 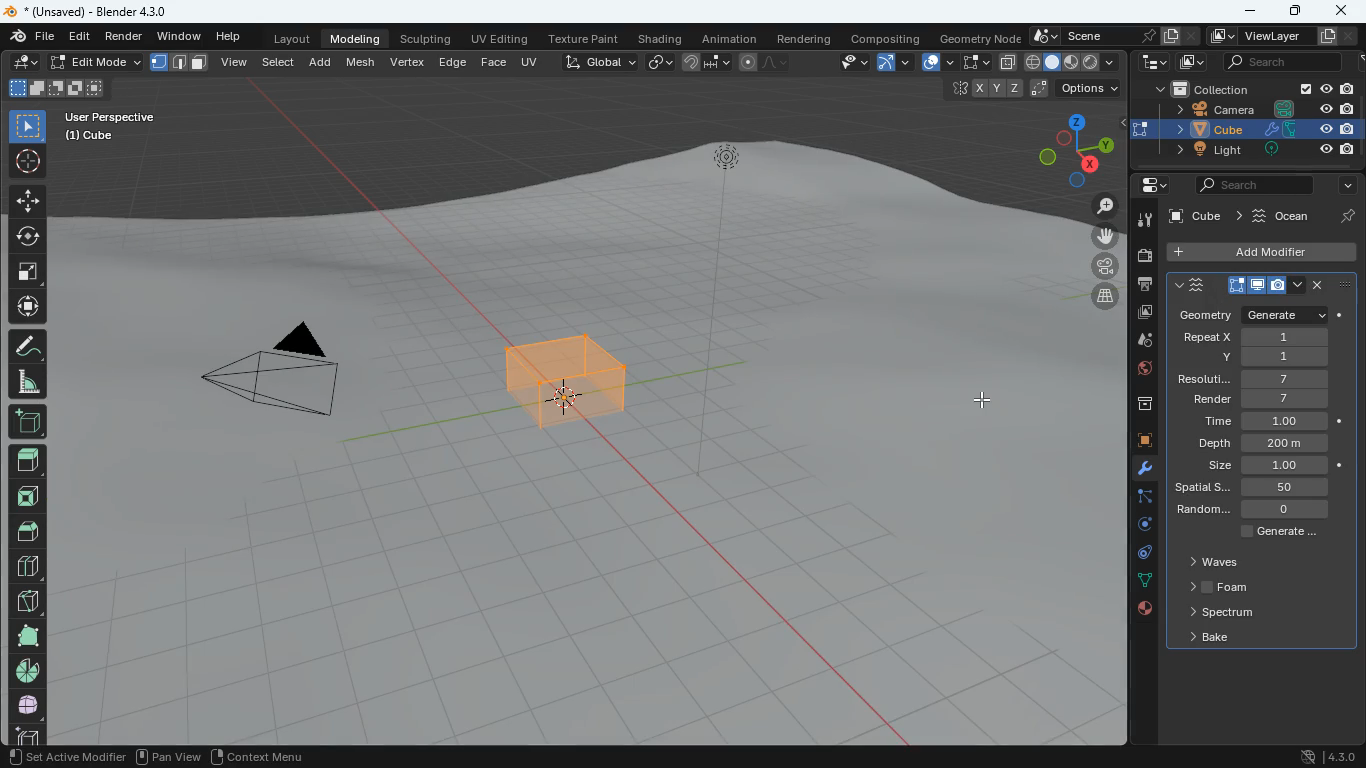 I want to click on dots, so click(x=1141, y=582).